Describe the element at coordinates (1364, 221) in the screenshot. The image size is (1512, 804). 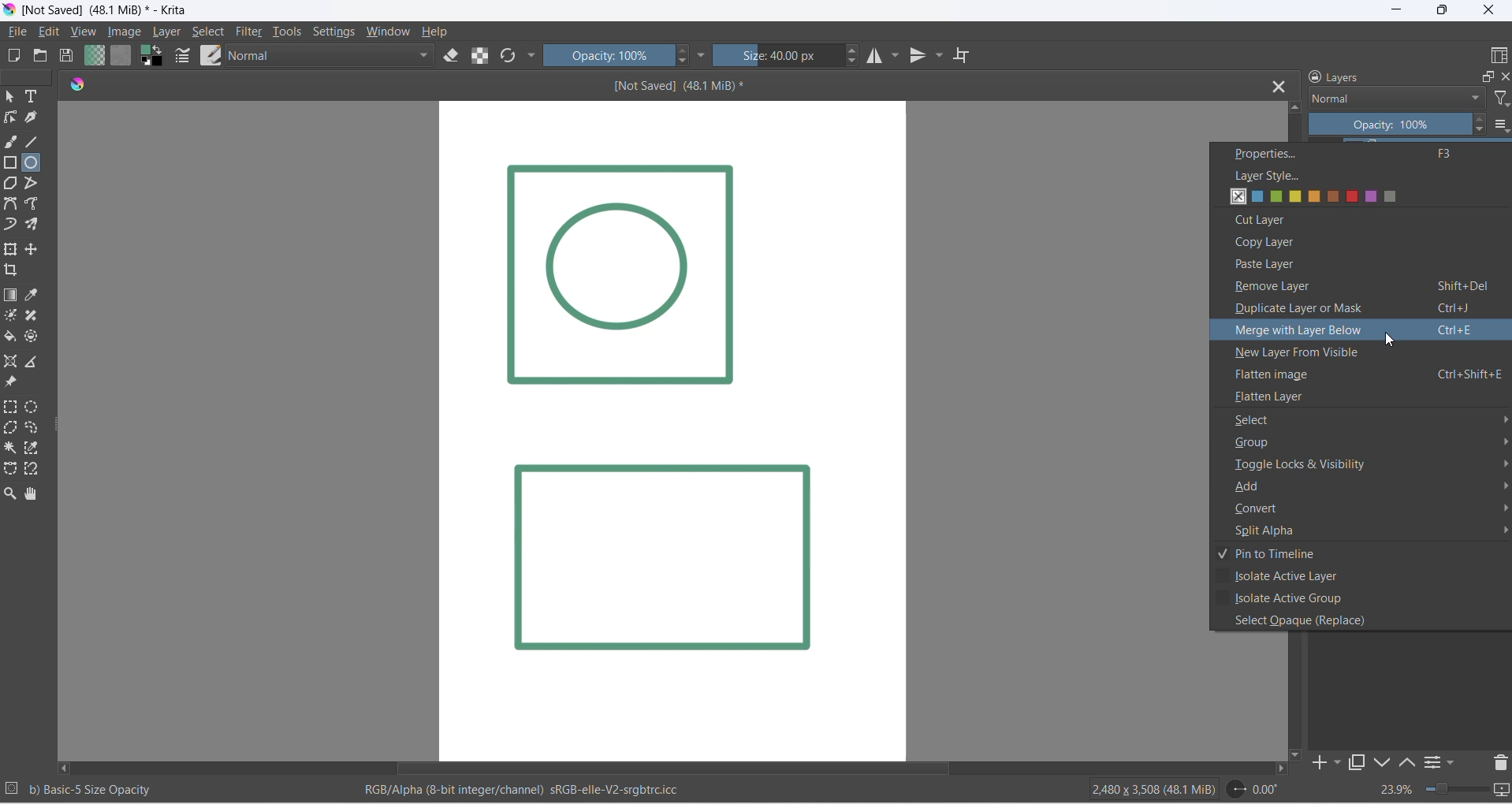
I see `cut layer` at that location.